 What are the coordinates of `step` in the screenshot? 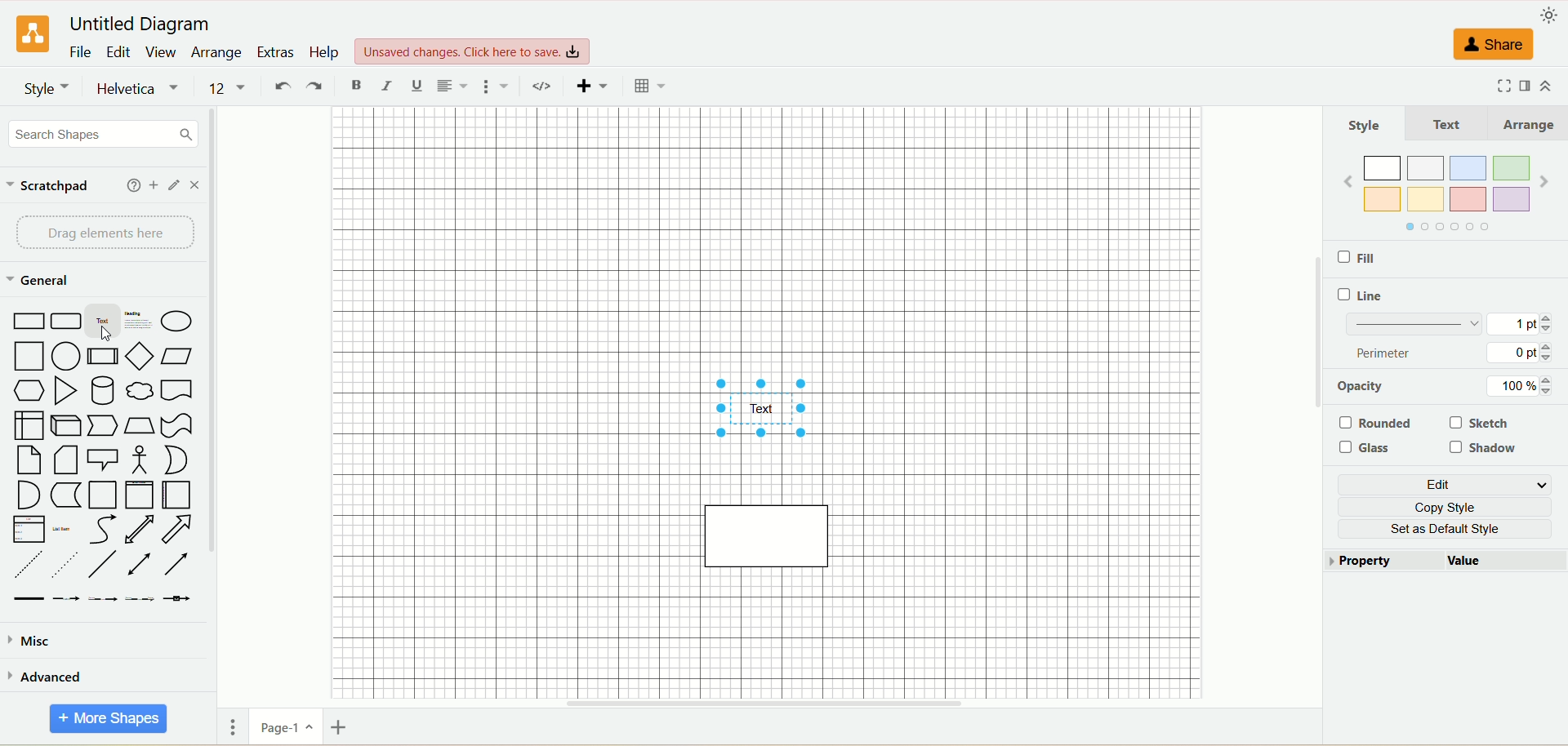 It's located at (105, 425).